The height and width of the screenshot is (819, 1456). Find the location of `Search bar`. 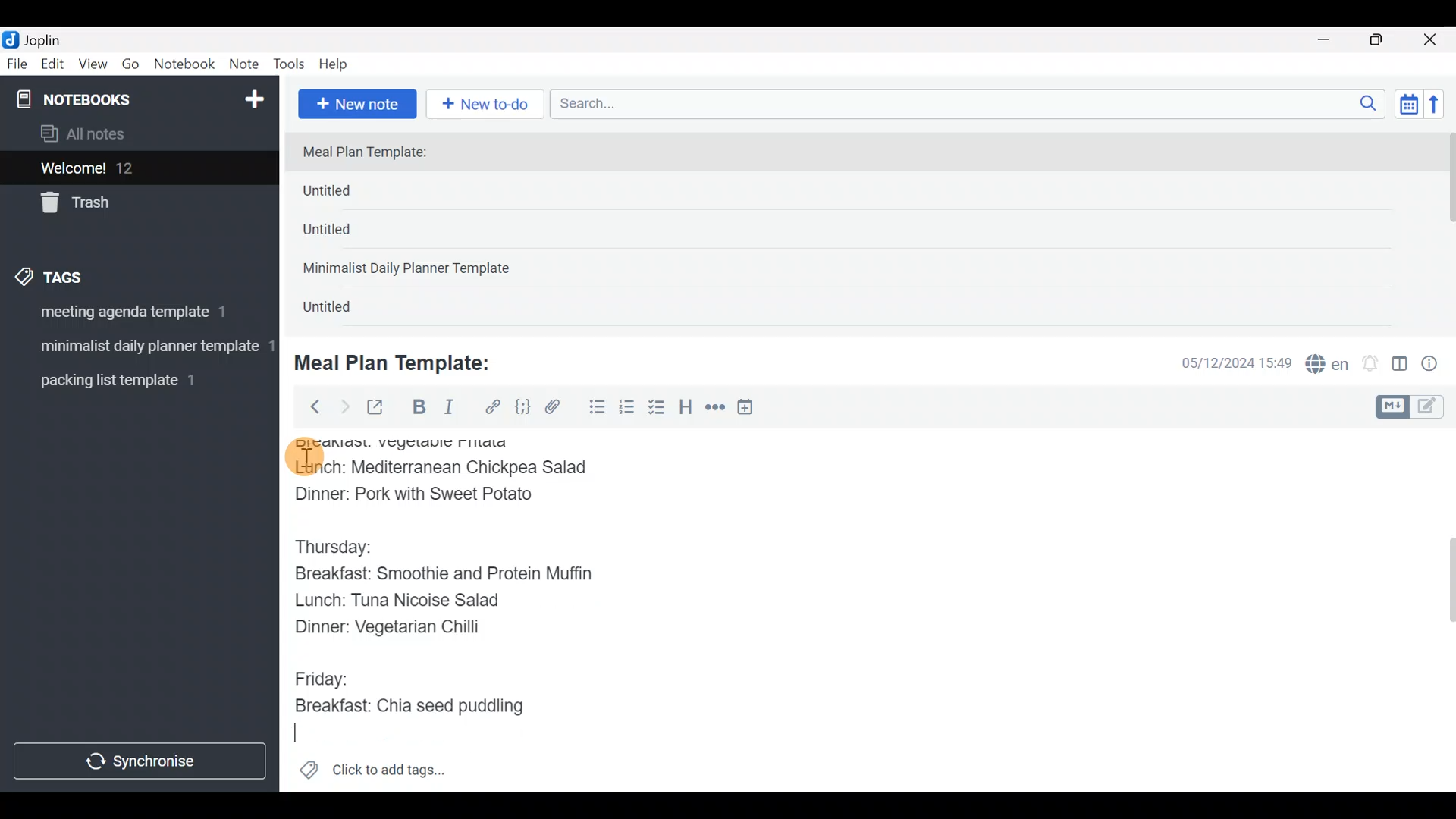

Search bar is located at coordinates (971, 102).